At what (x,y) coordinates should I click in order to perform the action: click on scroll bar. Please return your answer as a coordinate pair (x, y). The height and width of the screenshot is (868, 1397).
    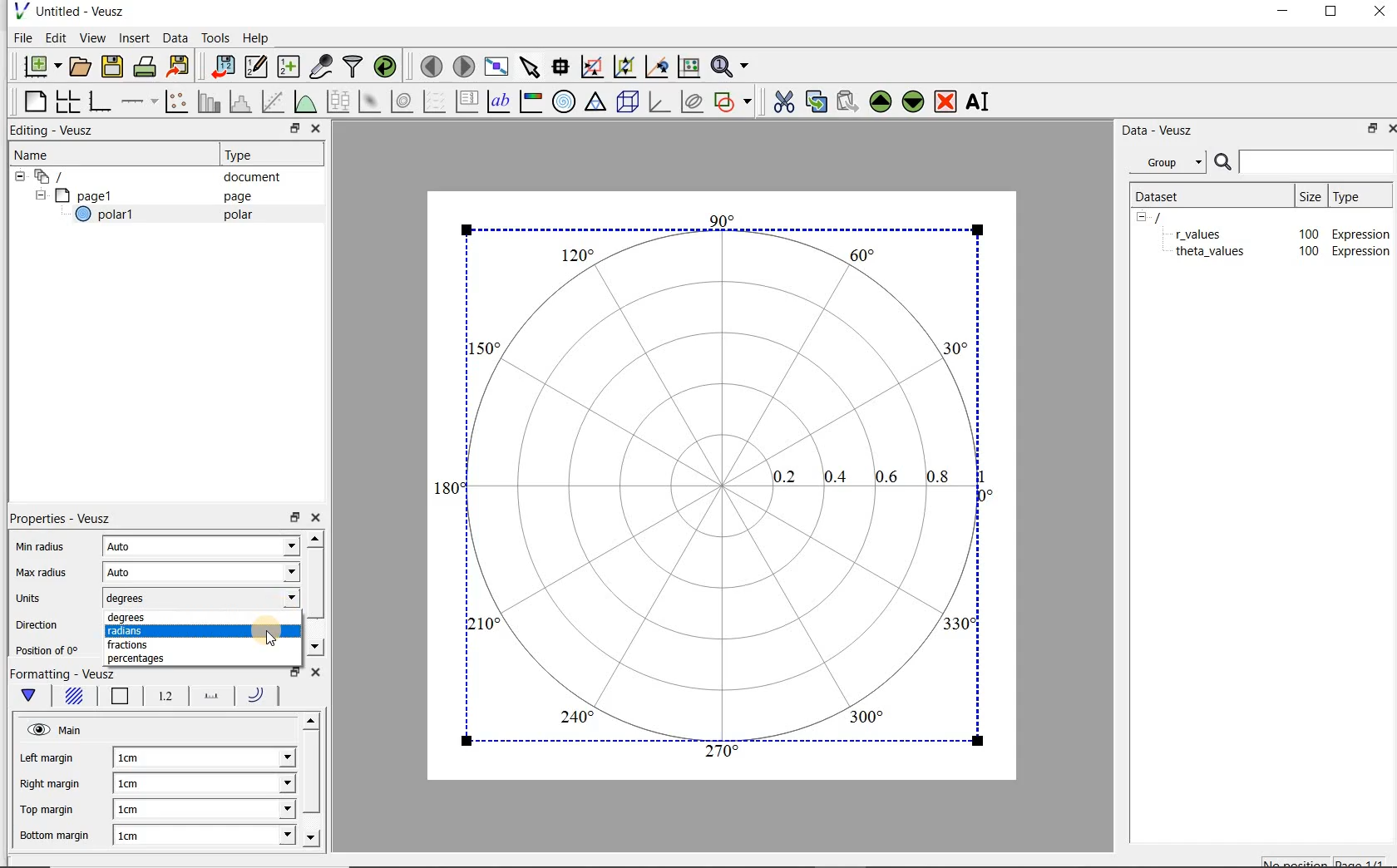
    Looking at the image, I should click on (314, 786).